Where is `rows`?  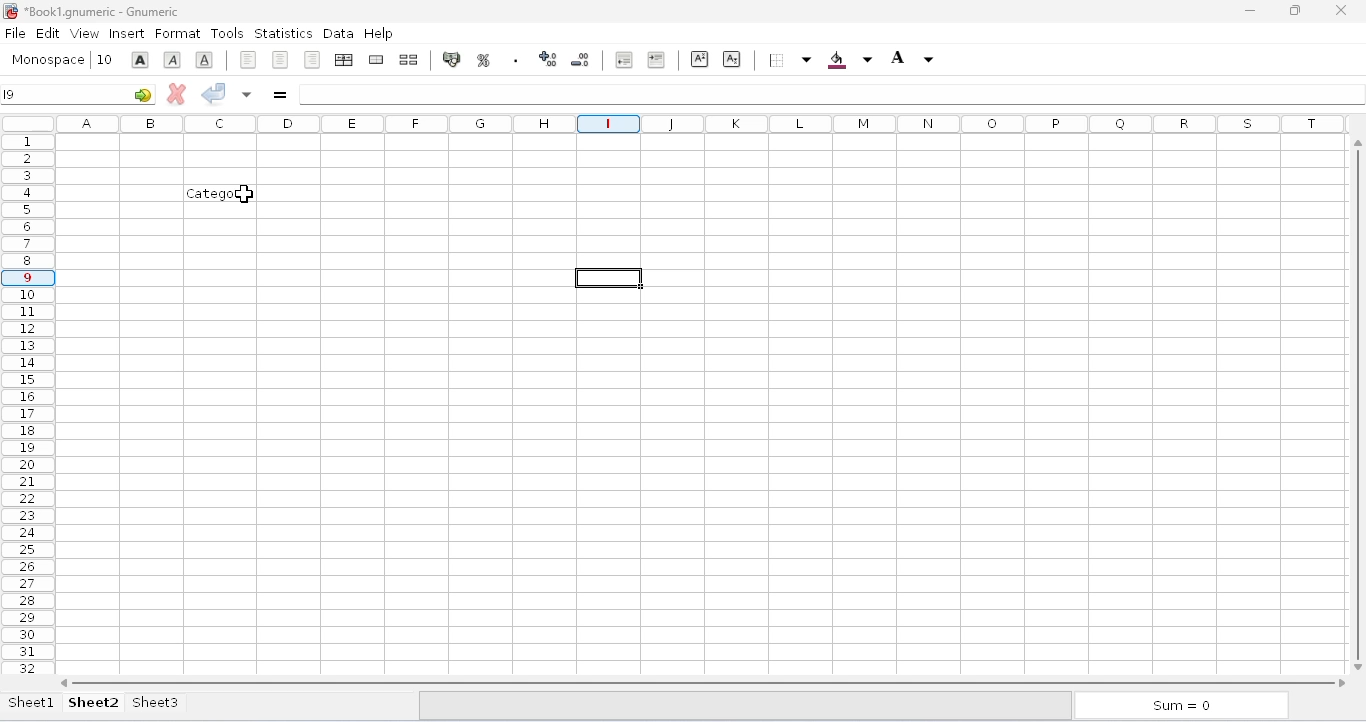 rows is located at coordinates (28, 404).